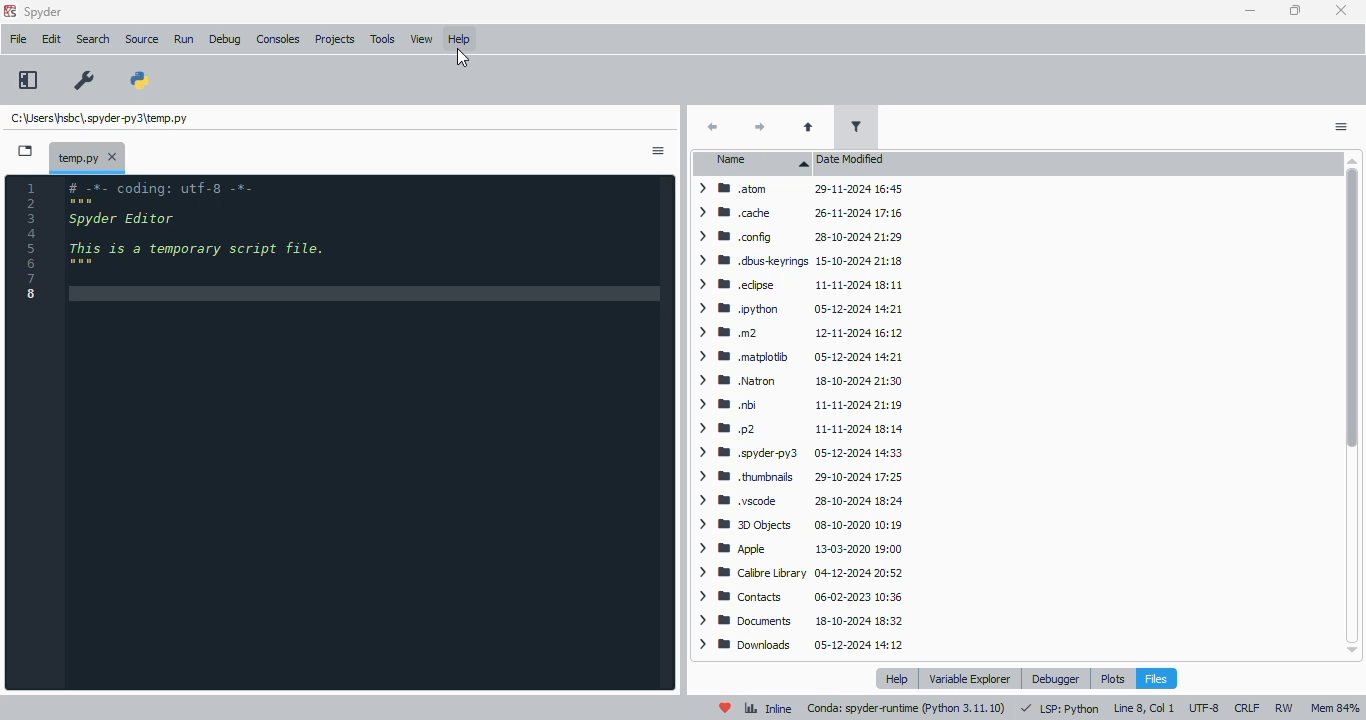 The width and height of the screenshot is (1366, 720). I want to click on > WB .spyderpy3 05-12-2024 14:33, so click(796, 451).